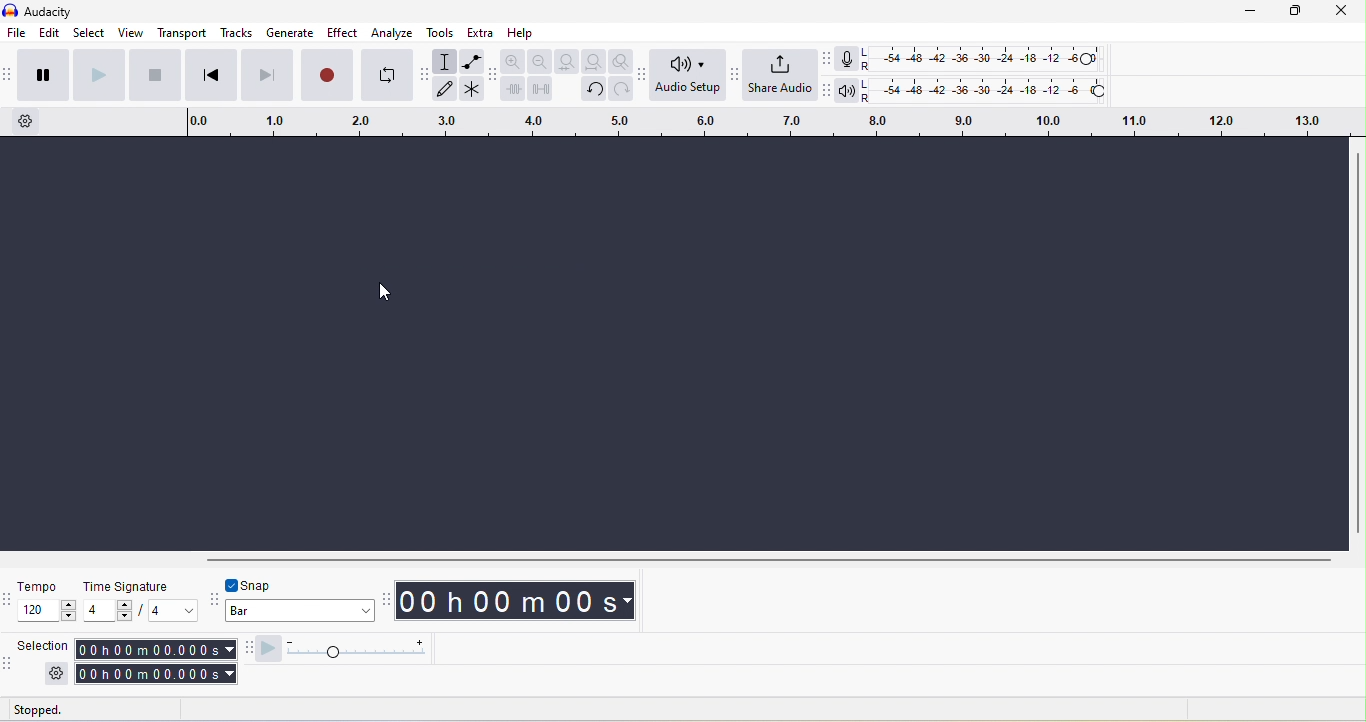 Image resolution: width=1366 pixels, height=722 pixels. Describe the element at coordinates (386, 294) in the screenshot. I see `cursor` at that location.